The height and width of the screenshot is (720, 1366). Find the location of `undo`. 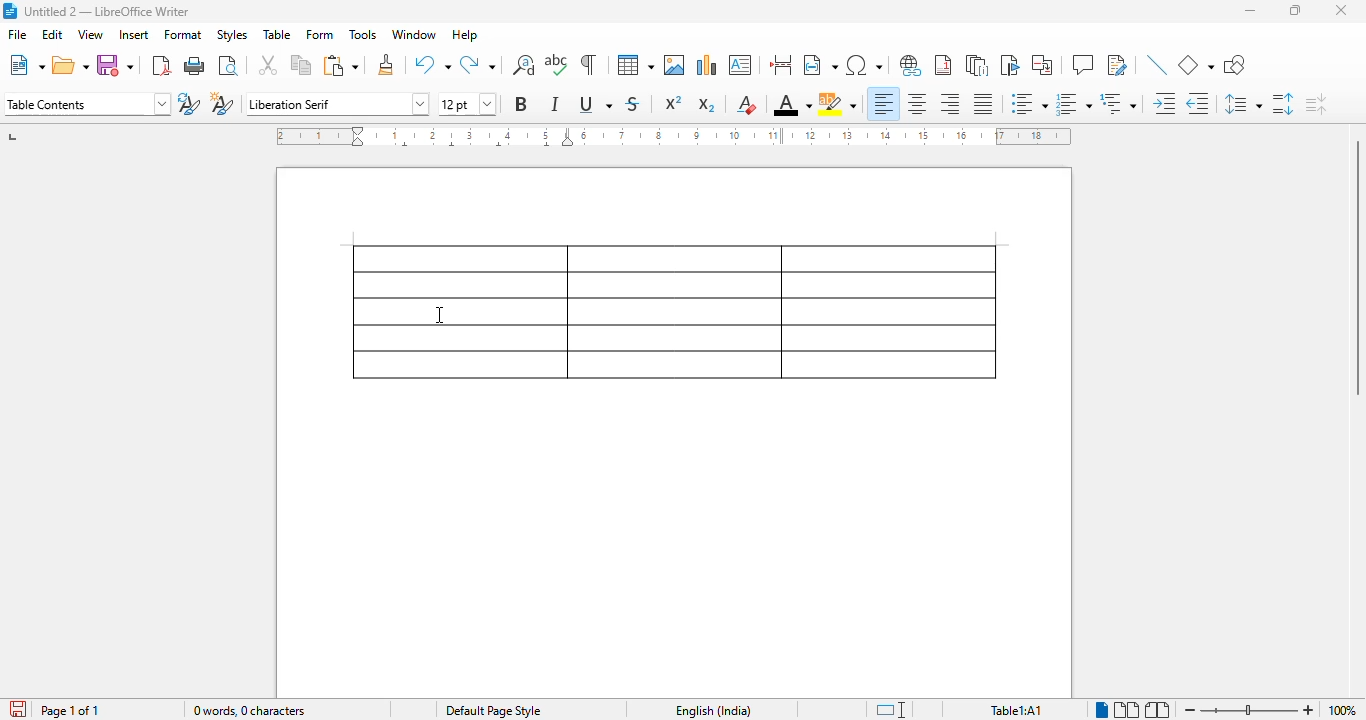

undo is located at coordinates (433, 64).